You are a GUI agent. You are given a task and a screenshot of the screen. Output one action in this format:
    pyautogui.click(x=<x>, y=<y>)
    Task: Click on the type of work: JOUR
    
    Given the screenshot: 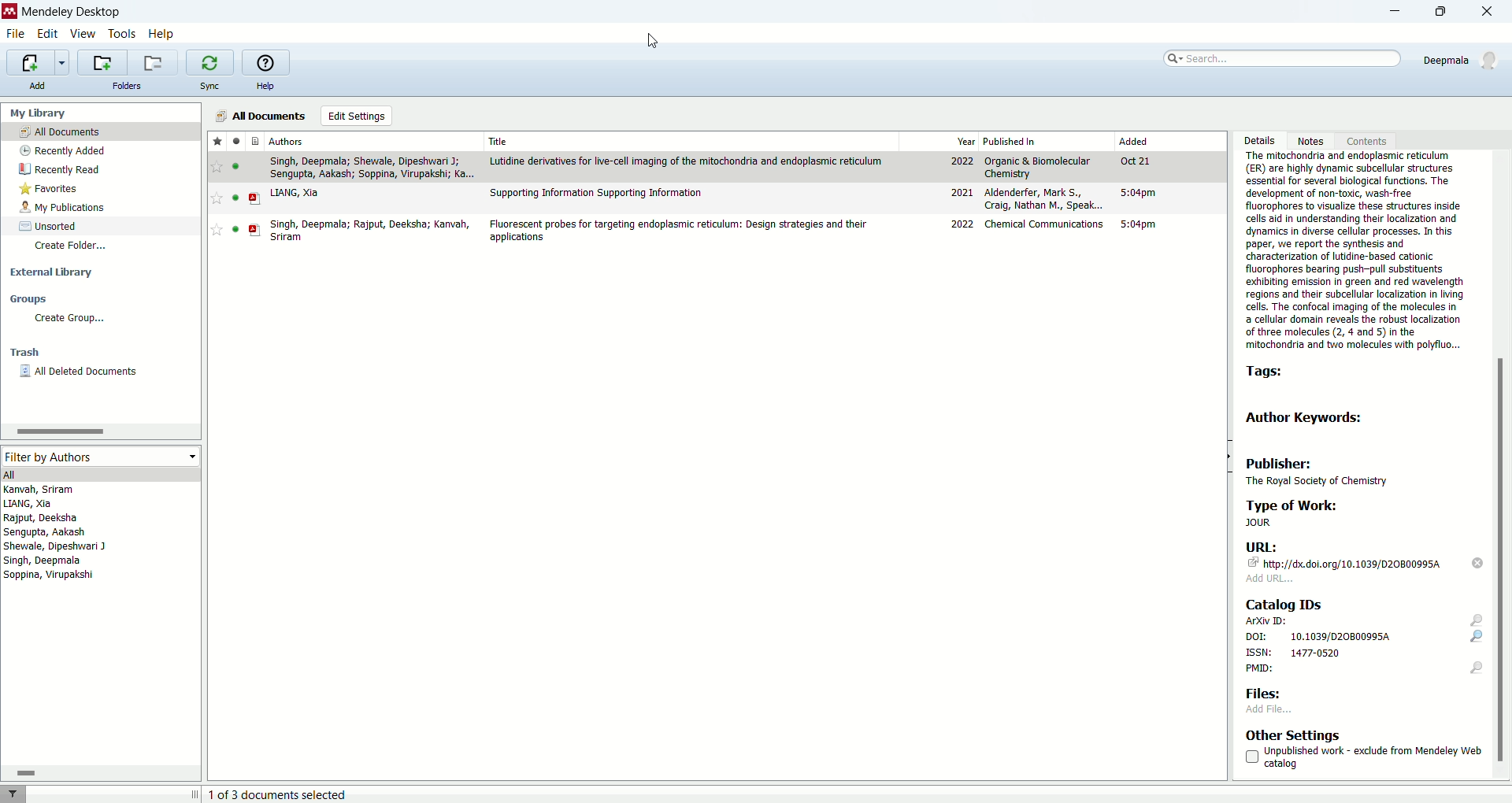 What is the action you would take?
    pyautogui.click(x=1344, y=513)
    